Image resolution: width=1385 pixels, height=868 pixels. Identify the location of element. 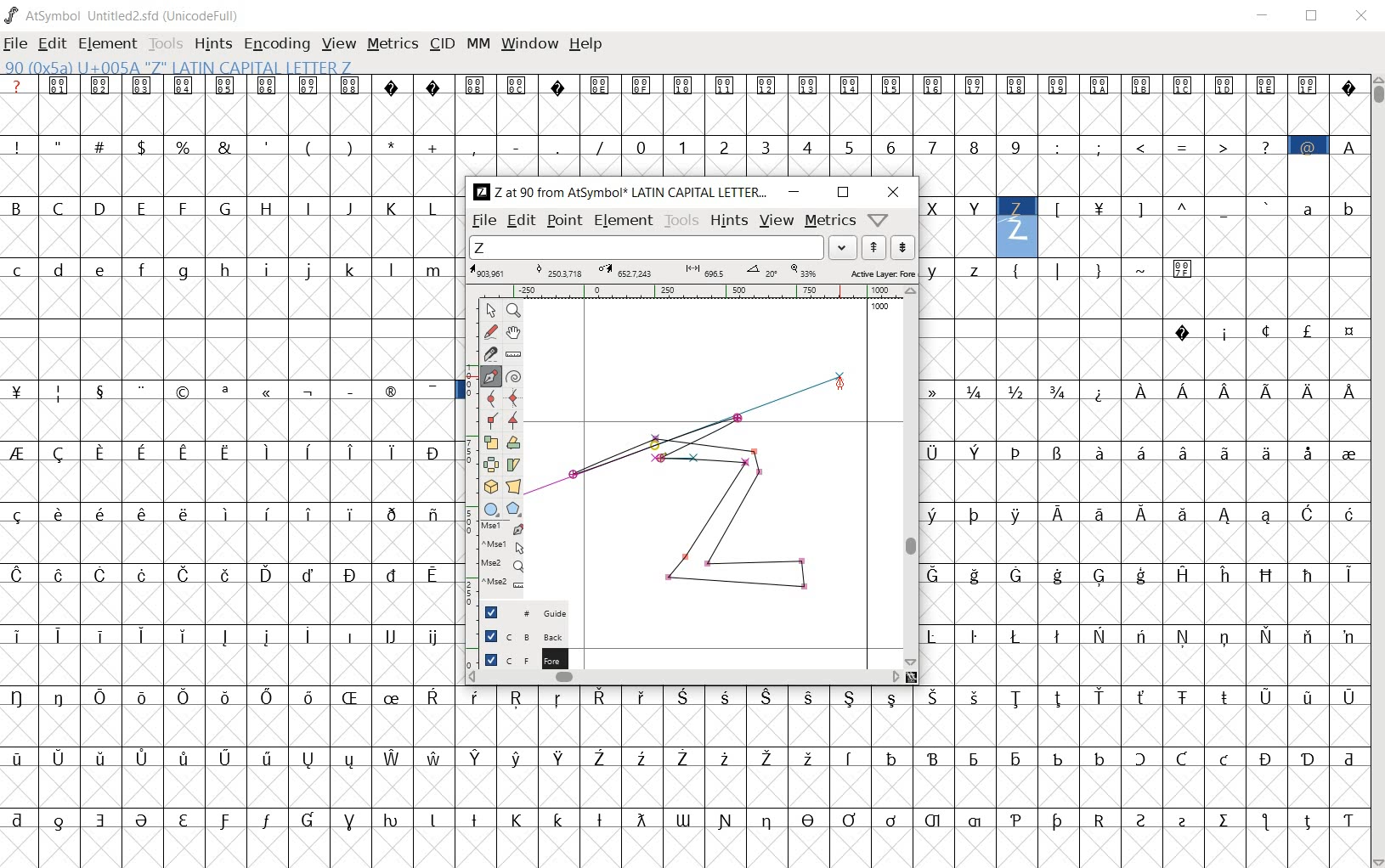
(110, 42).